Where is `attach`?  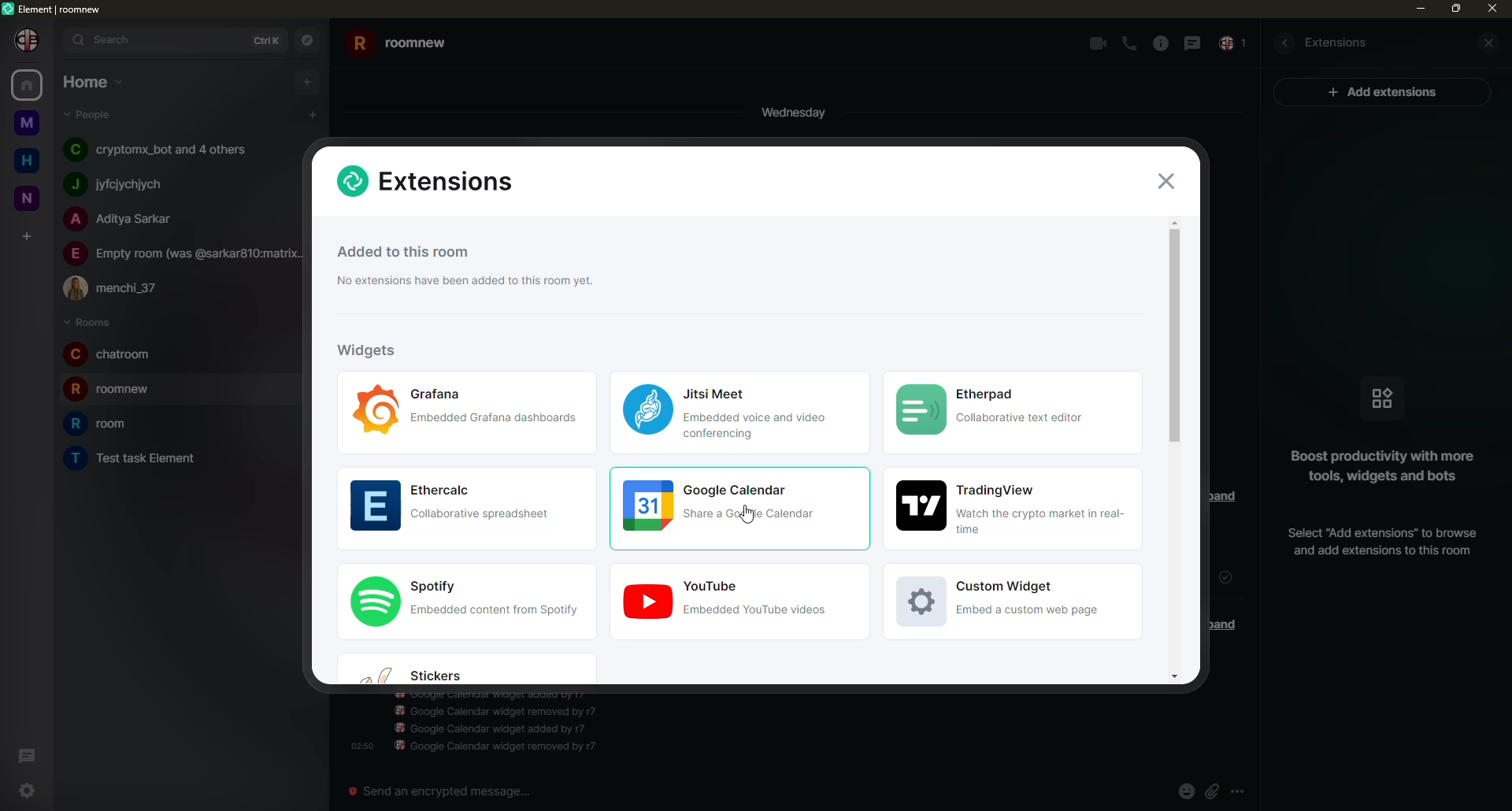 attach is located at coordinates (1210, 790).